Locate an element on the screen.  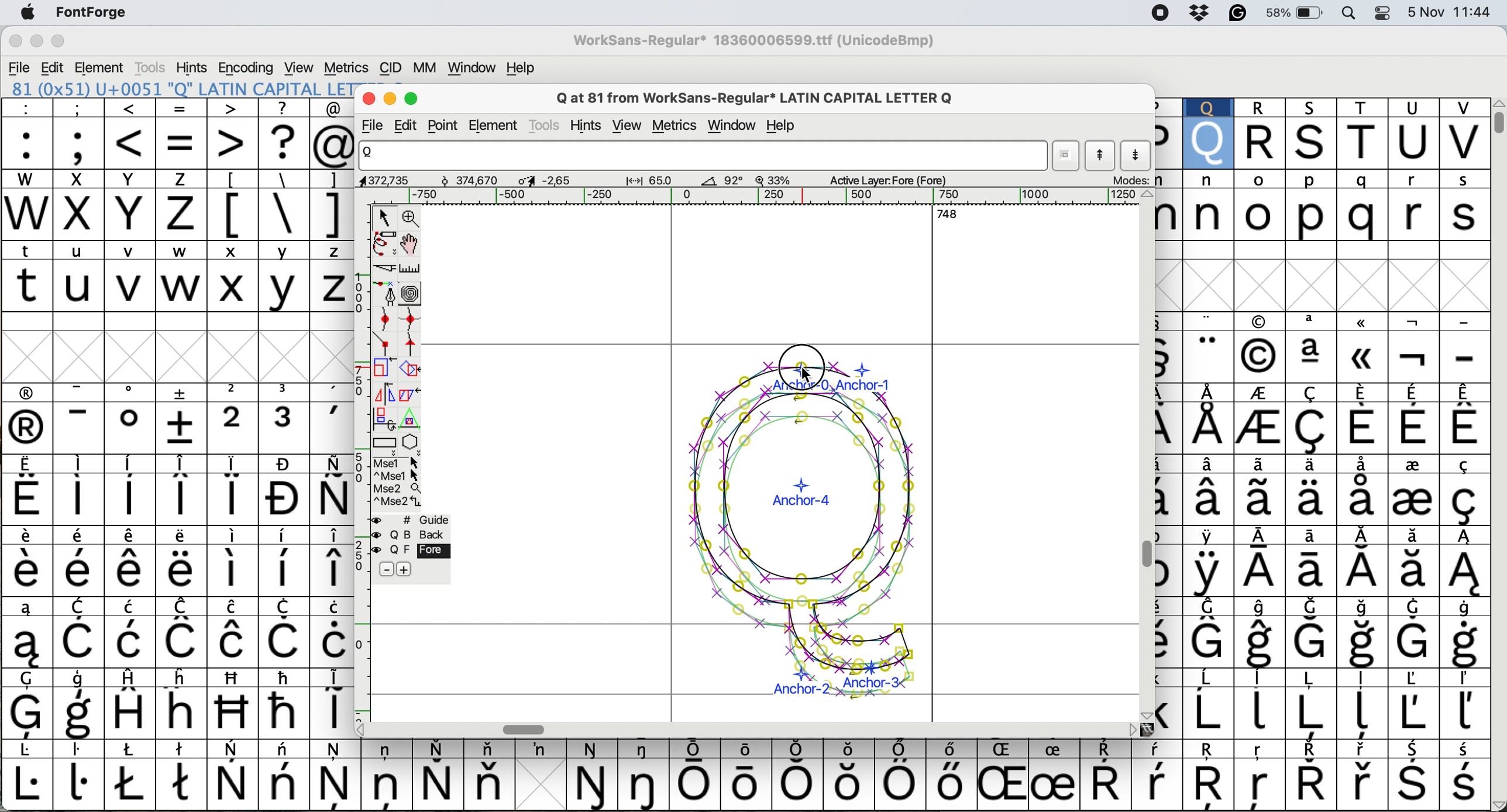
star or polygon is located at coordinates (412, 443).